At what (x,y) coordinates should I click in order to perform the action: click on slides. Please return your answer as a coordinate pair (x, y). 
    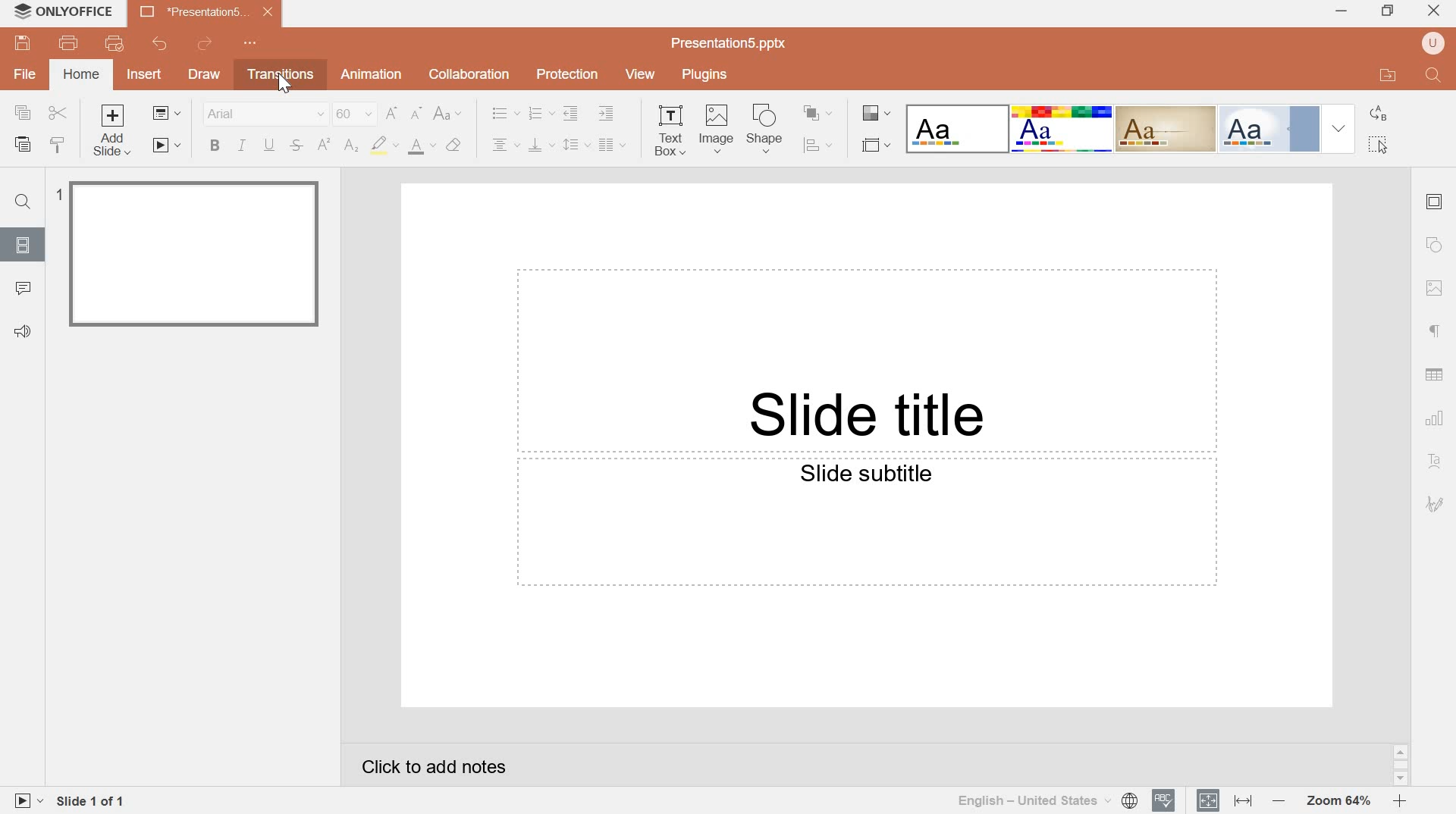
    Looking at the image, I should click on (20, 244).